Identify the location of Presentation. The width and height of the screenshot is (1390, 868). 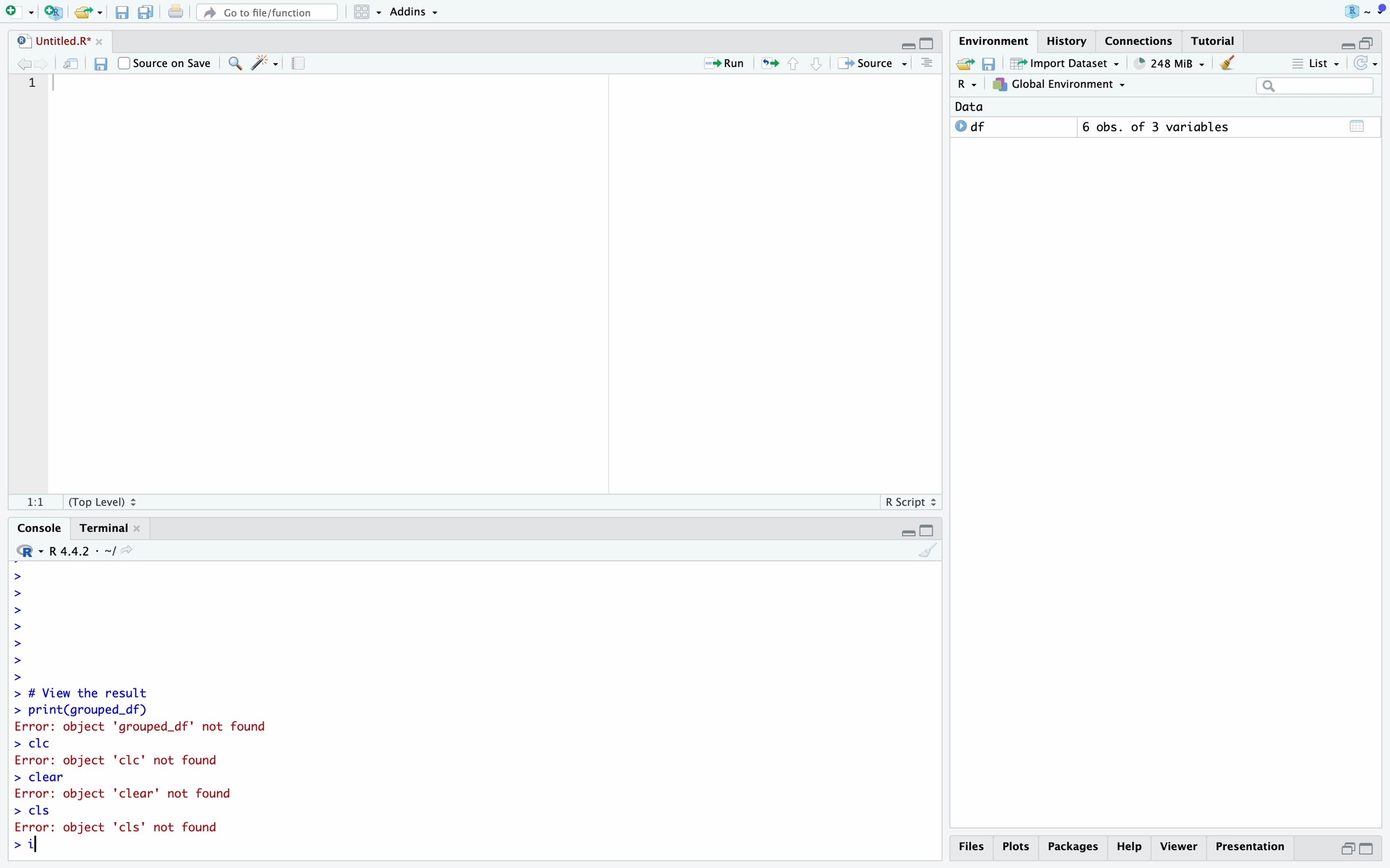
(1250, 847).